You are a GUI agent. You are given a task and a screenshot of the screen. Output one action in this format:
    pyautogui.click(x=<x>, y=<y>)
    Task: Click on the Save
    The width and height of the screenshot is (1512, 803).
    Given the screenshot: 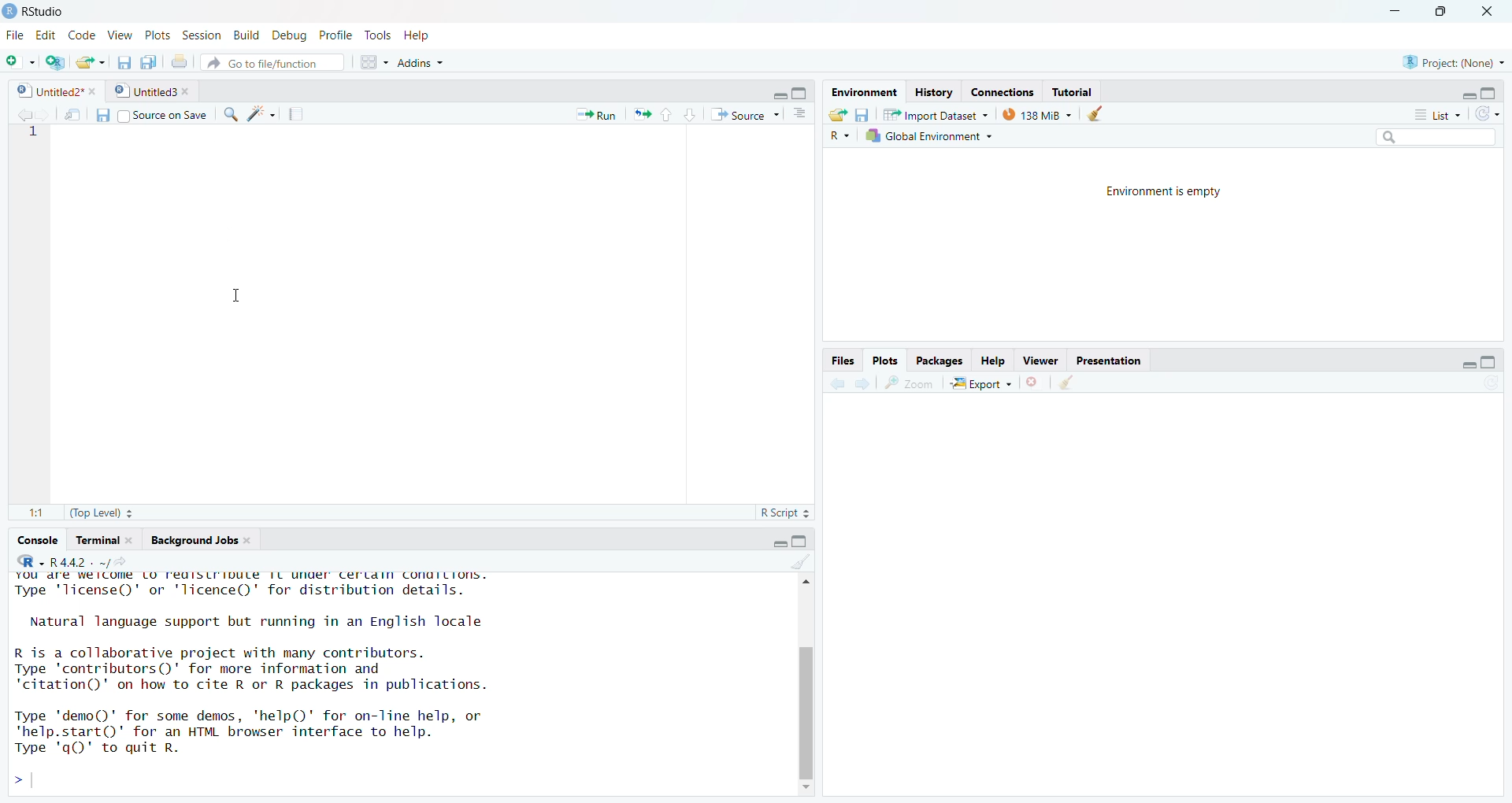 What is the action you would take?
    pyautogui.click(x=102, y=114)
    